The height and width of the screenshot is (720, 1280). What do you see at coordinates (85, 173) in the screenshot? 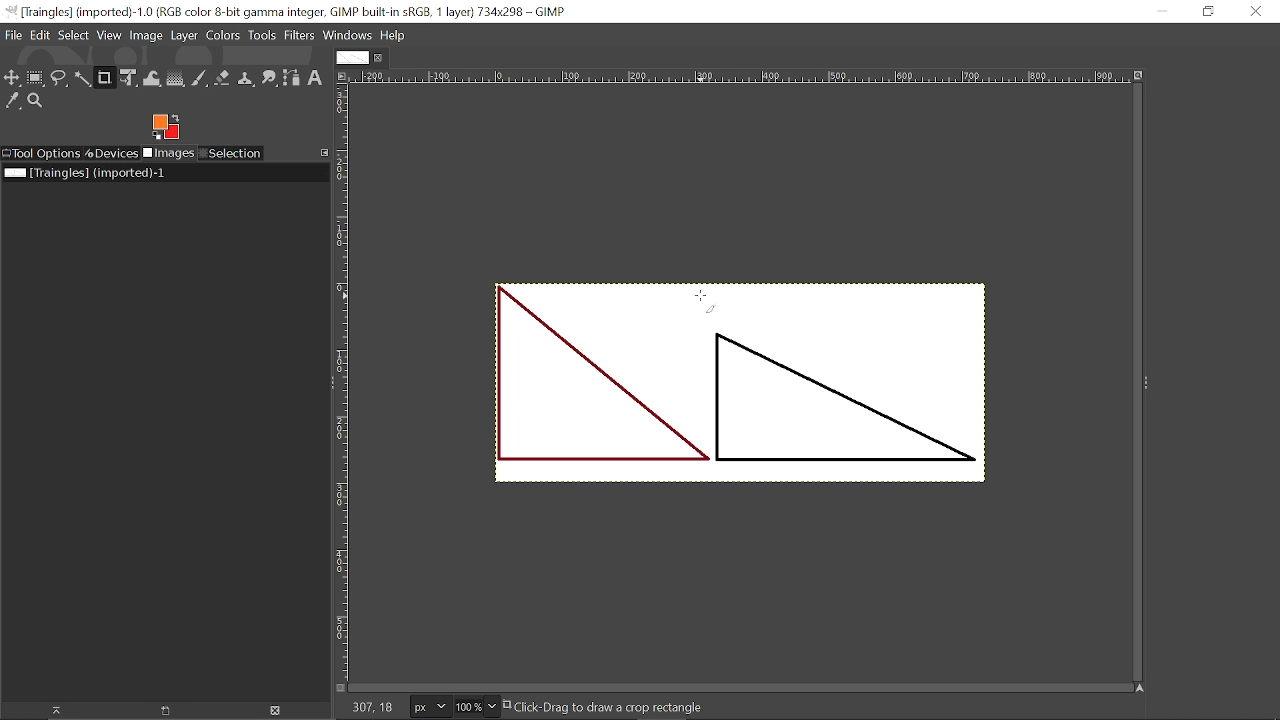
I see `Current file name` at bounding box center [85, 173].